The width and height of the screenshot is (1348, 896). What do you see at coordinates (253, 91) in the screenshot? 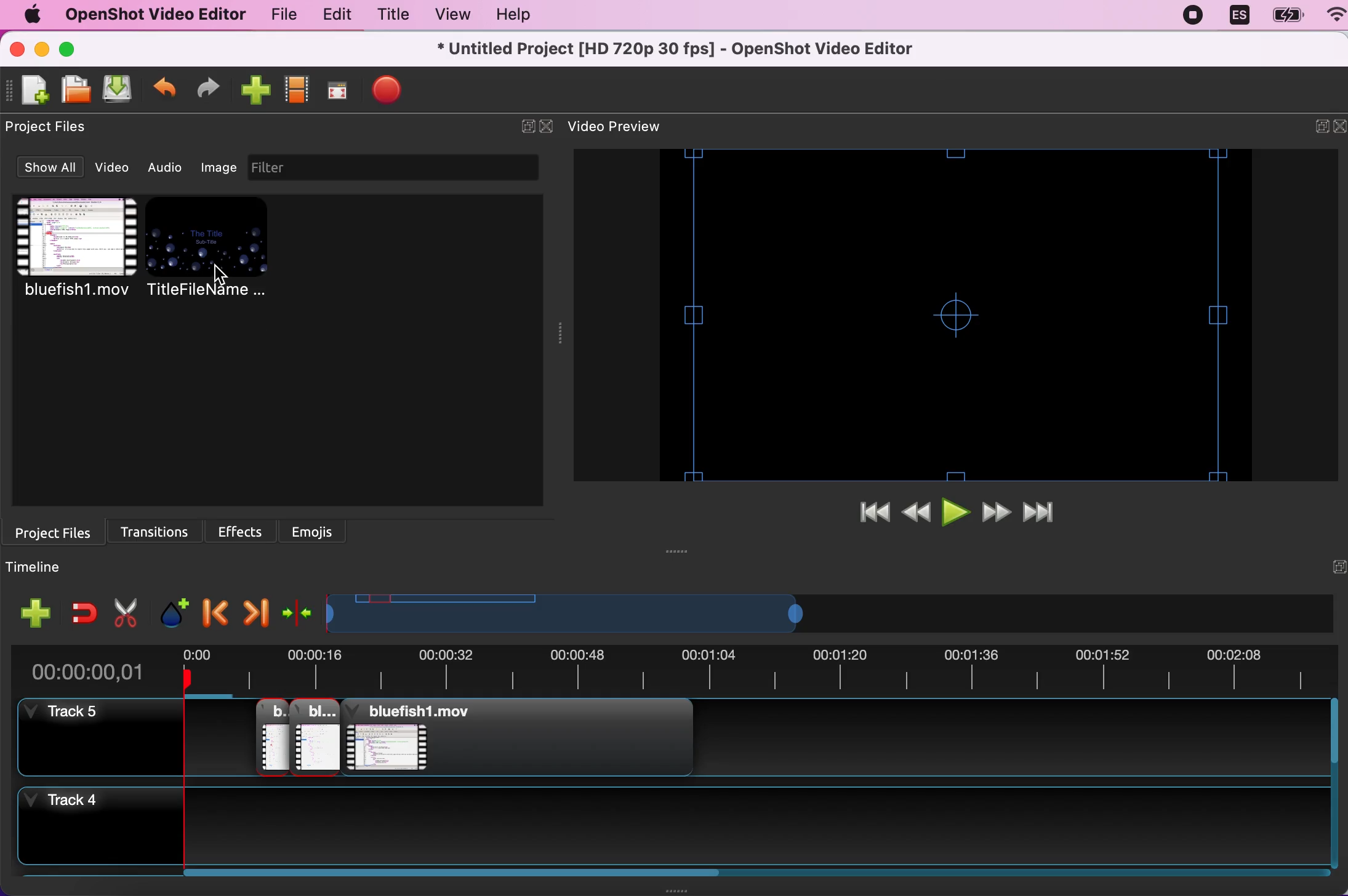
I see `import file` at bounding box center [253, 91].